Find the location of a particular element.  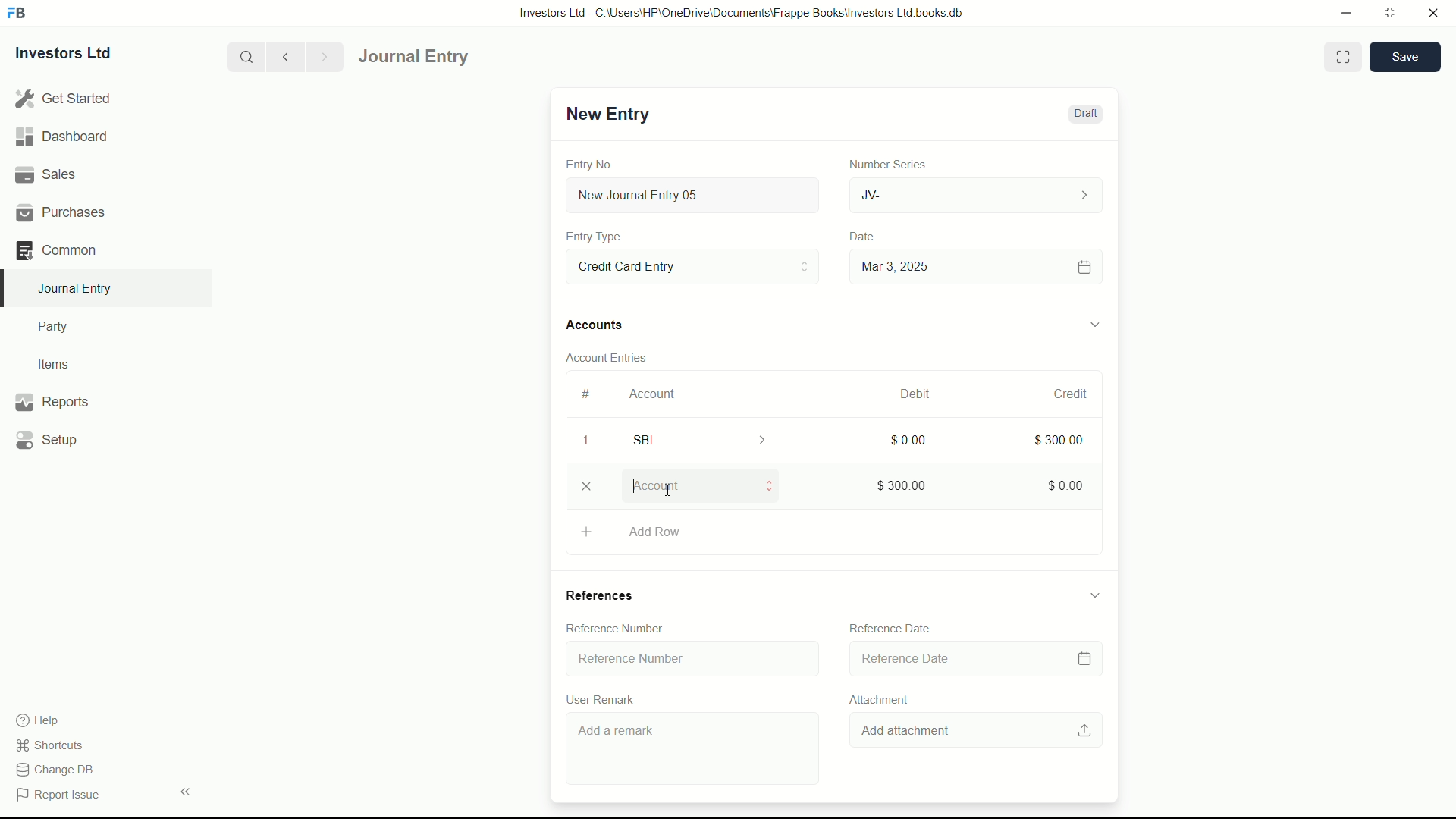

search is located at coordinates (245, 55).